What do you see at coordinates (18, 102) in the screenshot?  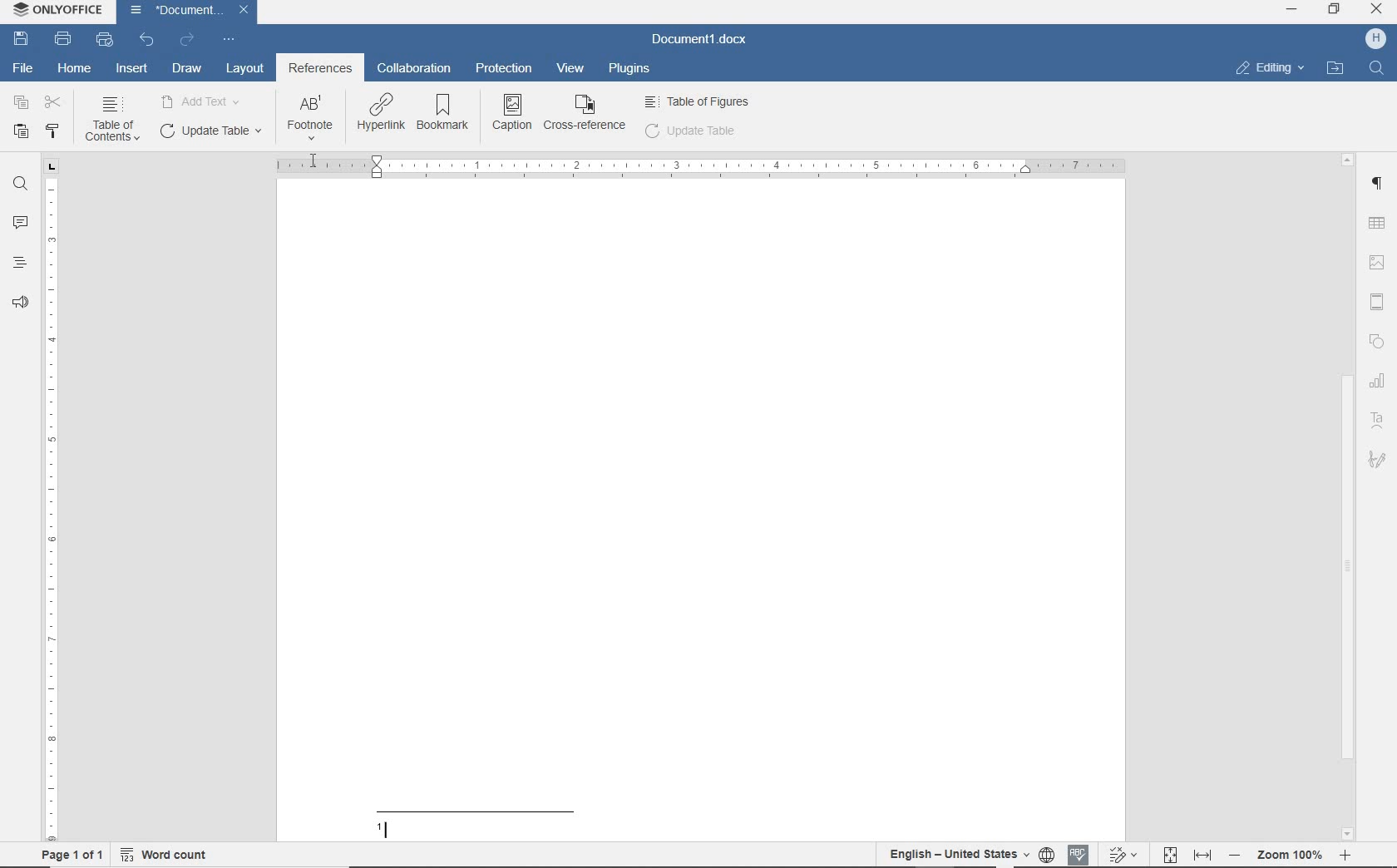 I see `copy` at bounding box center [18, 102].